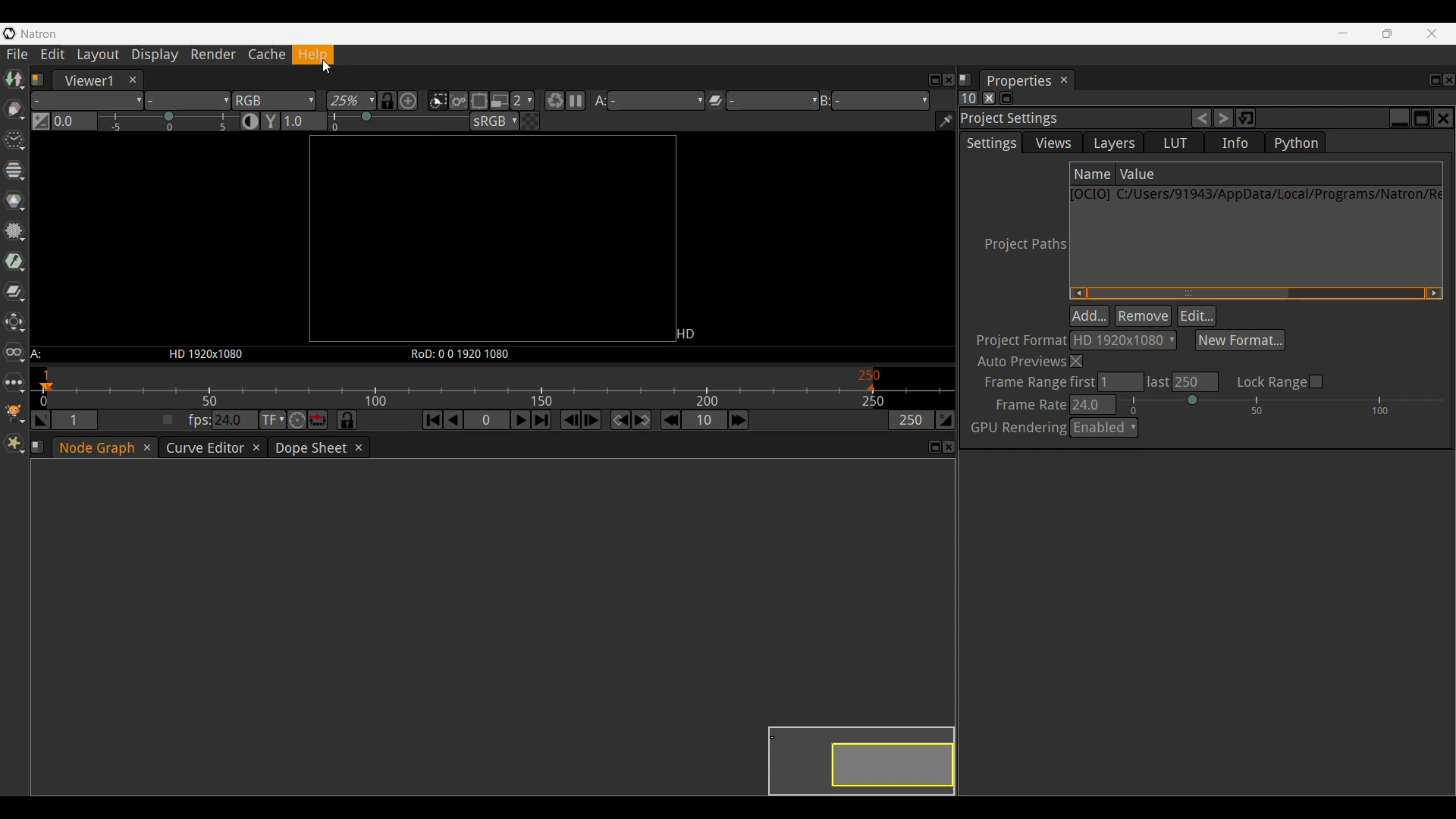 The image size is (1456, 819). Describe the element at coordinates (494, 354) in the screenshot. I see `Information about the canvas` at that location.